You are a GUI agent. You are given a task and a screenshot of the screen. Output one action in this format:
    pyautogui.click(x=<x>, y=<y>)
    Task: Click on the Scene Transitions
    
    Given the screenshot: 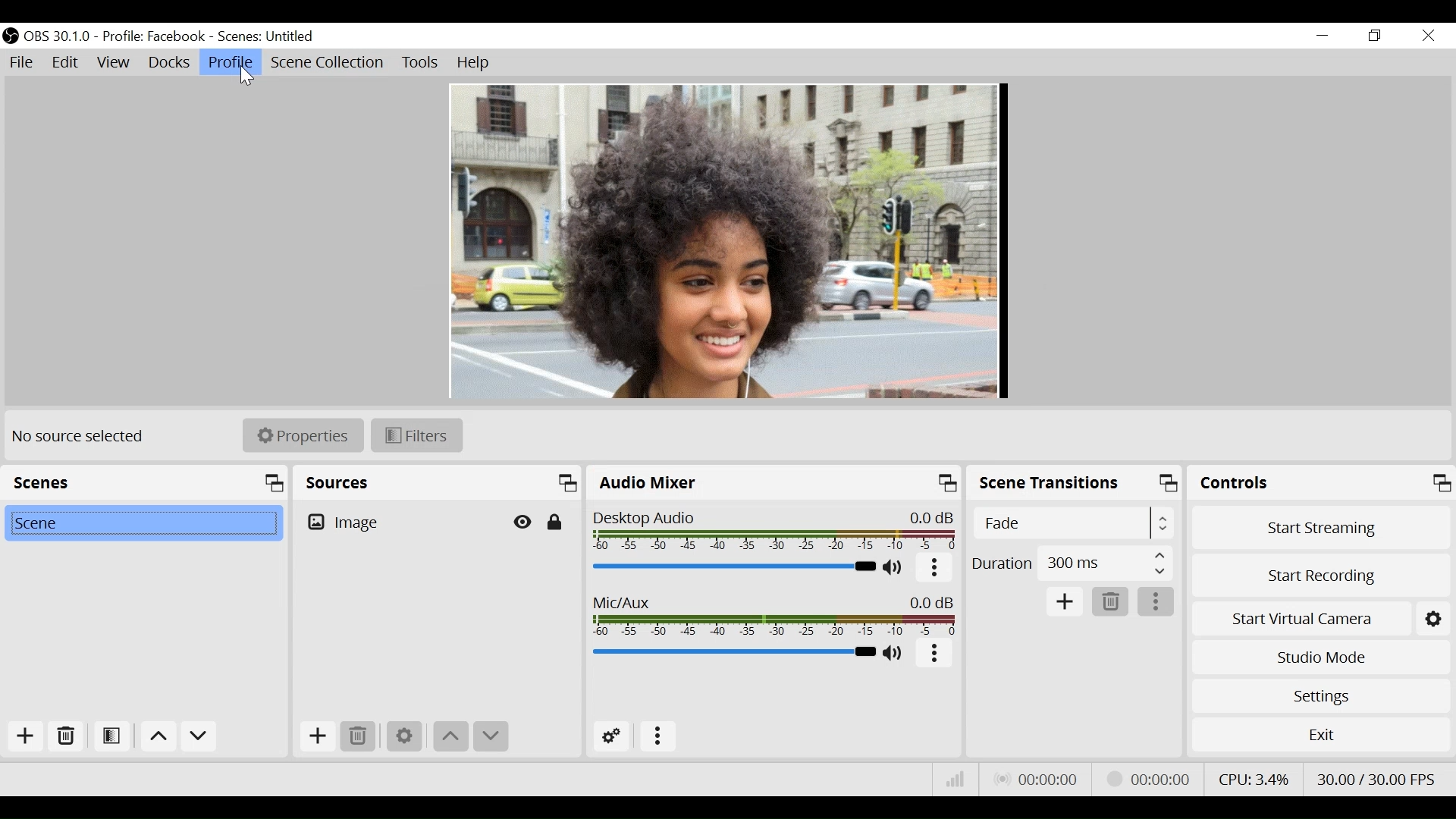 What is the action you would take?
    pyautogui.click(x=1075, y=485)
    